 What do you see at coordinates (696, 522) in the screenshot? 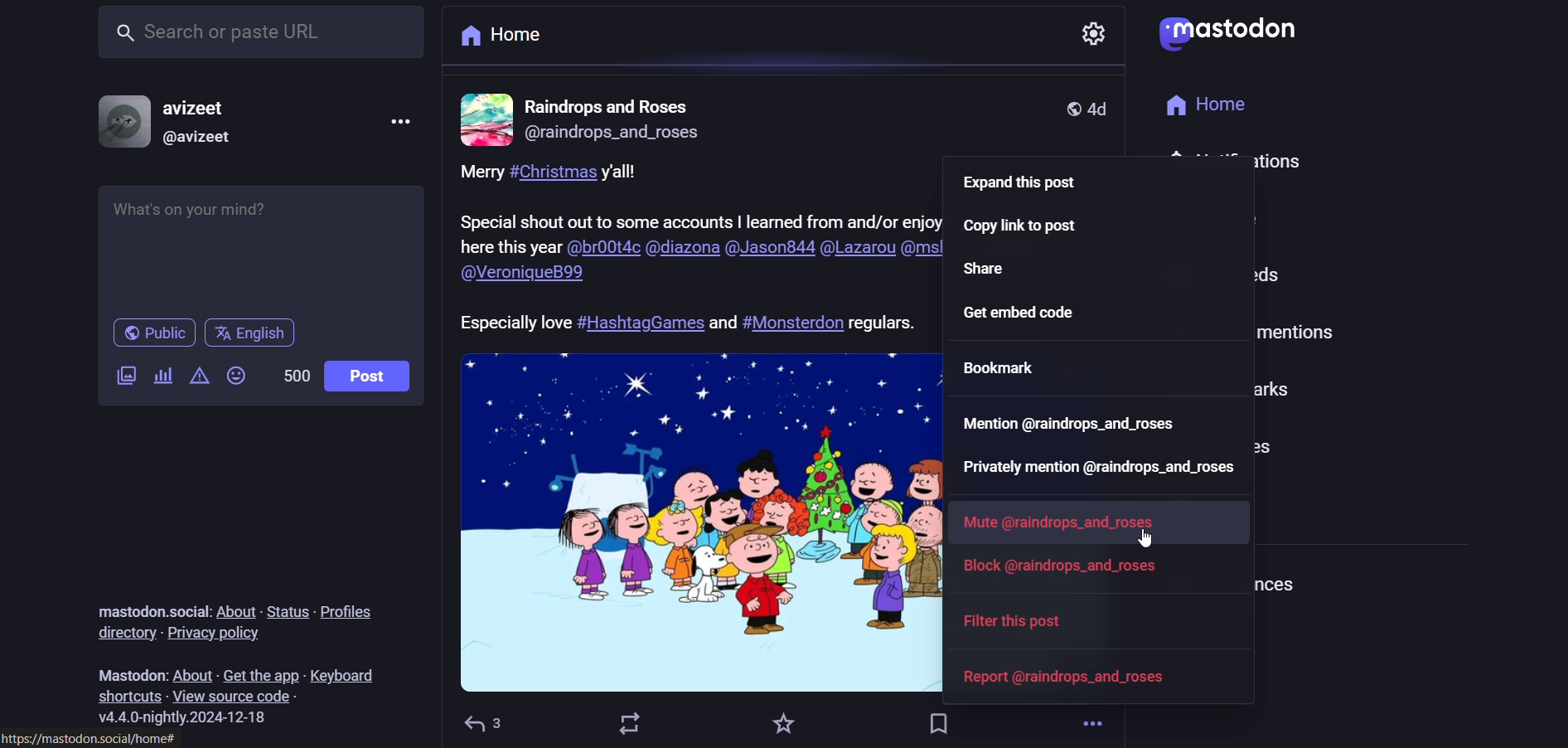
I see `image` at bounding box center [696, 522].